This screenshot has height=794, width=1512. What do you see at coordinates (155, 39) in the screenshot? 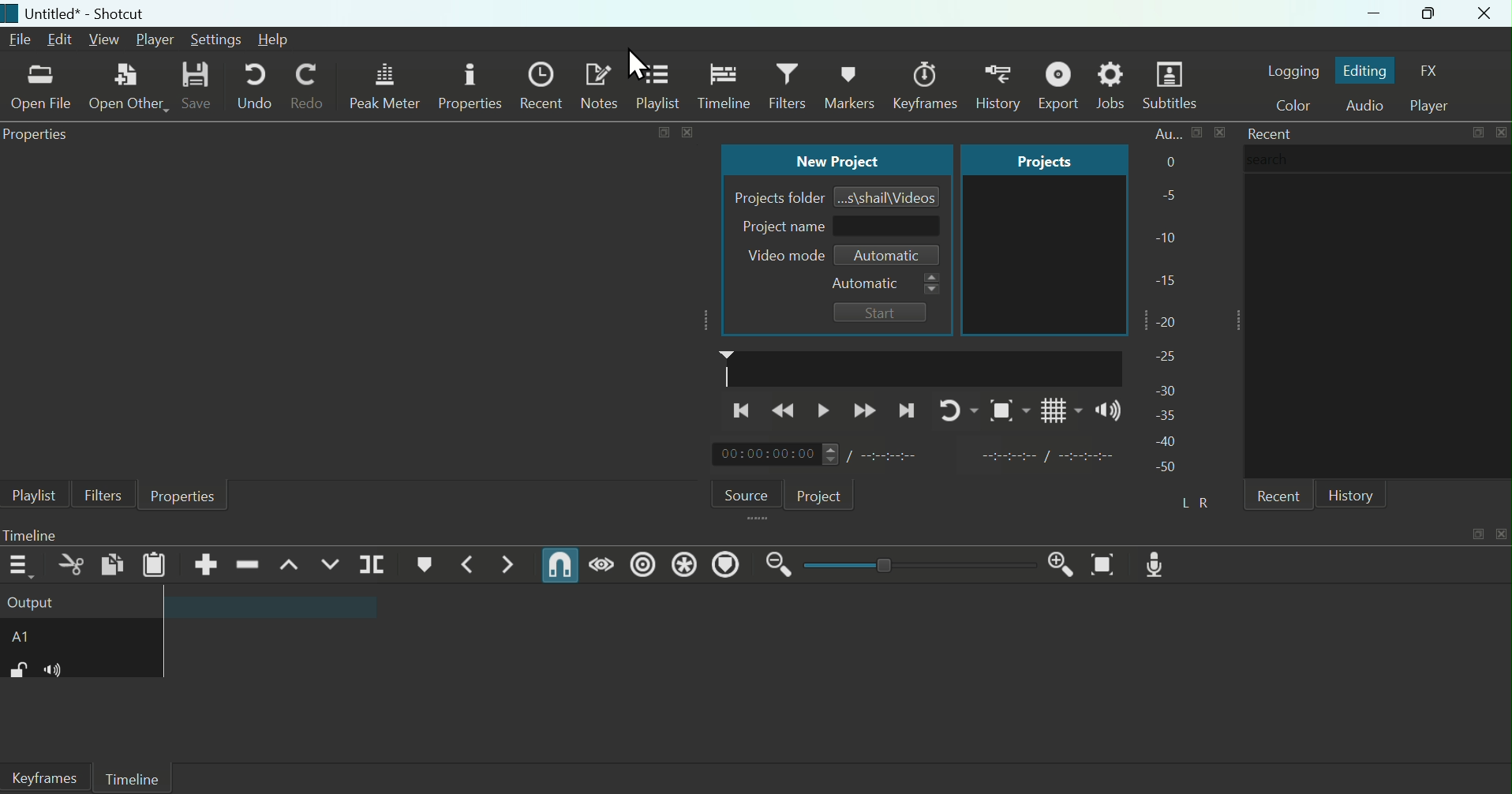
I see `Player` at bounding box center [155, 39].